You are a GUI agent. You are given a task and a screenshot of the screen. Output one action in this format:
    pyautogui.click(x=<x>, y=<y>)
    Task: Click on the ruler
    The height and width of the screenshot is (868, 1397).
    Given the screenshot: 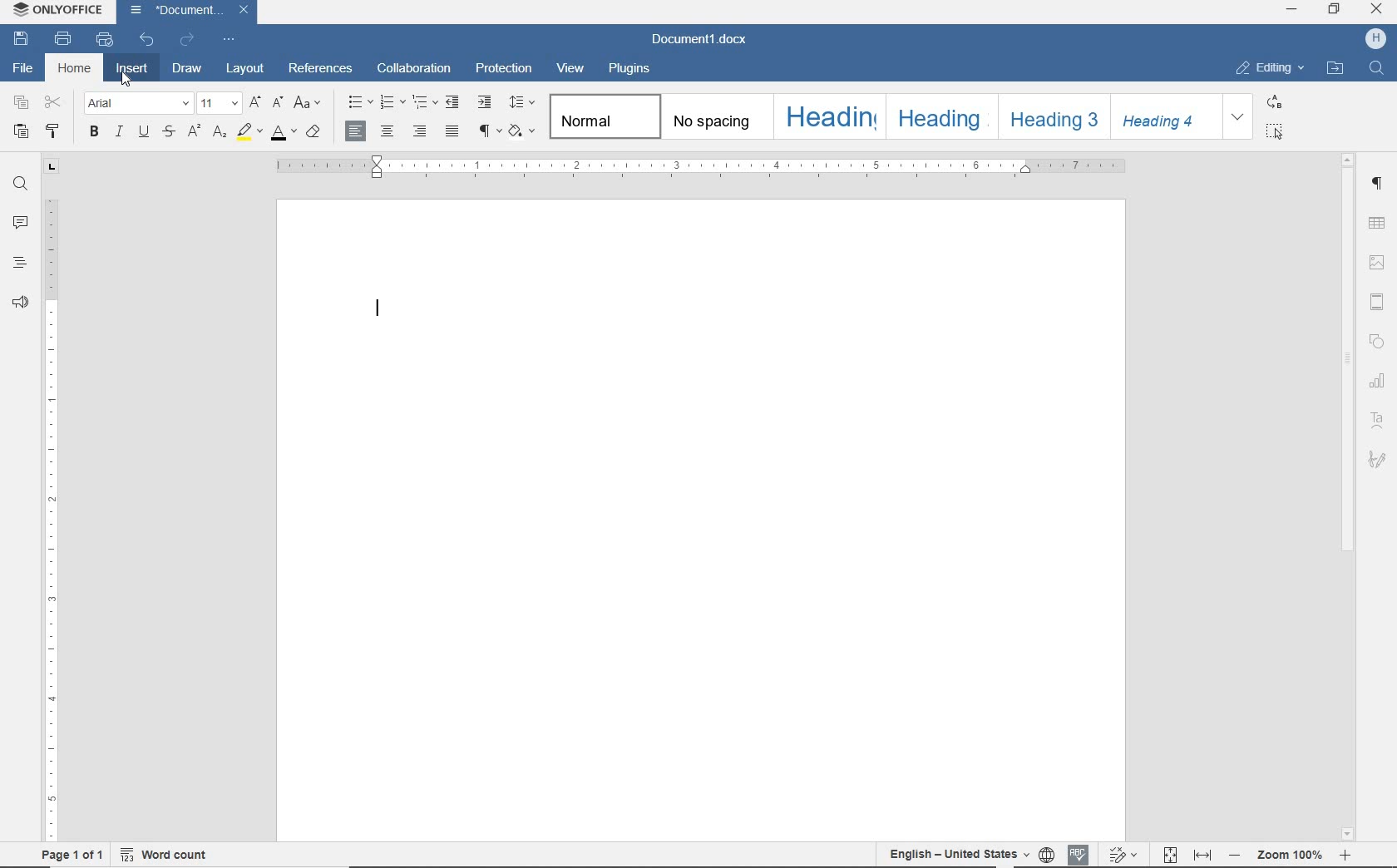 What is the action you would take?
    pyautogui.click(x=55, y=501)
    